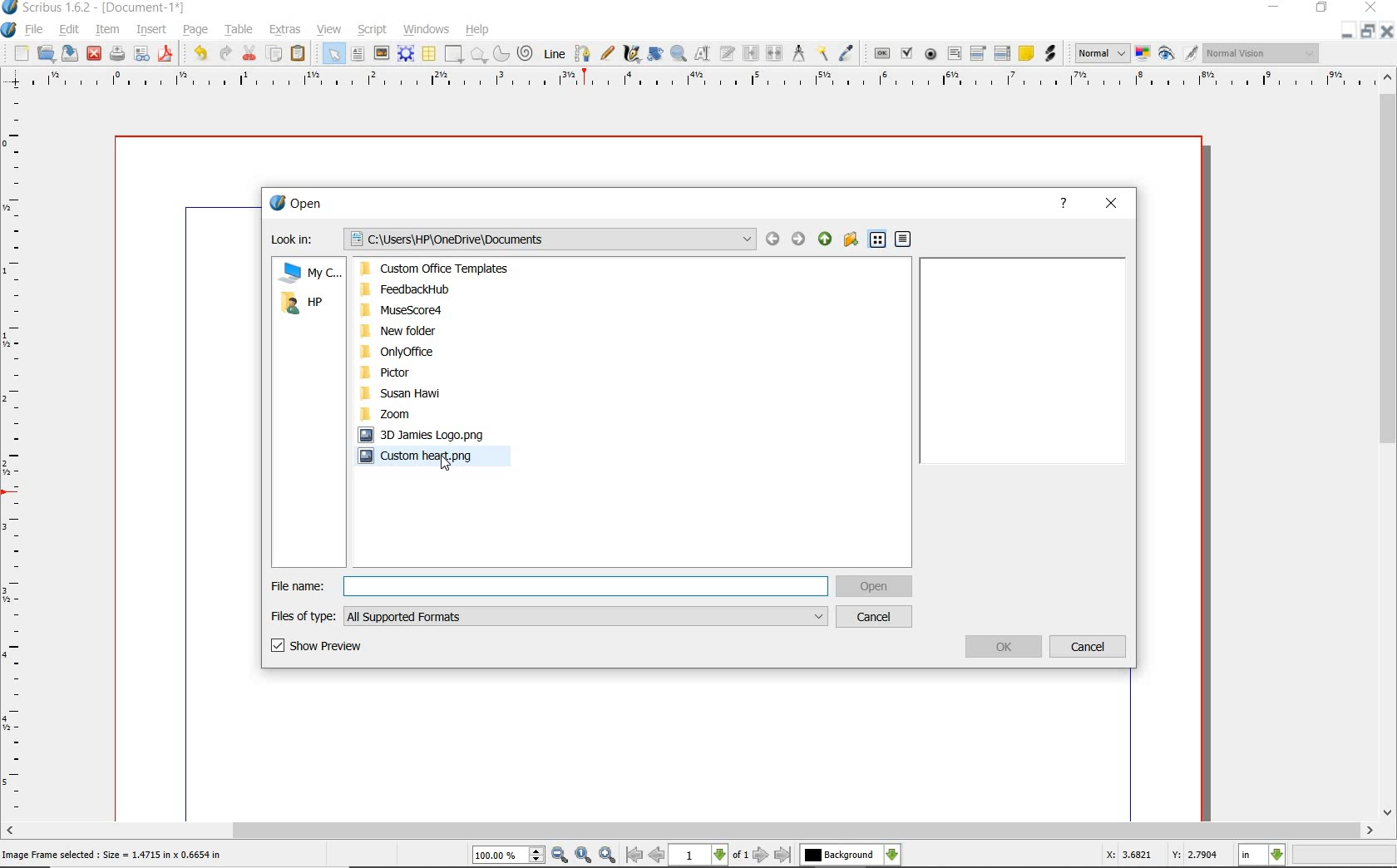 The height and width of the screenshot is (868, 1397). I want to click on select measurement, so click(1262, 855).